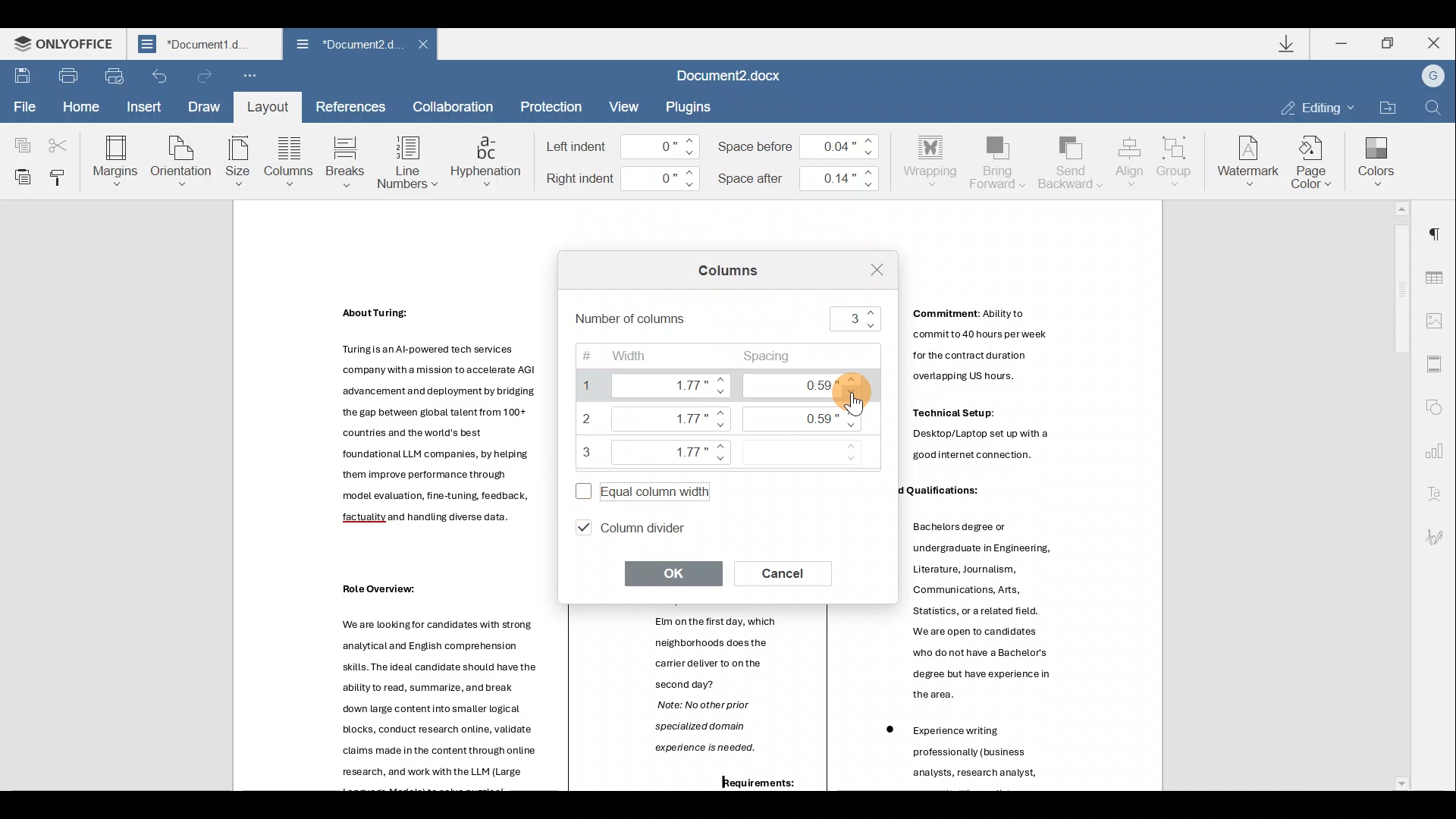 The width and height of the screenshot is (1456, 819). I want to click on Document2.d, so click(204, 48).